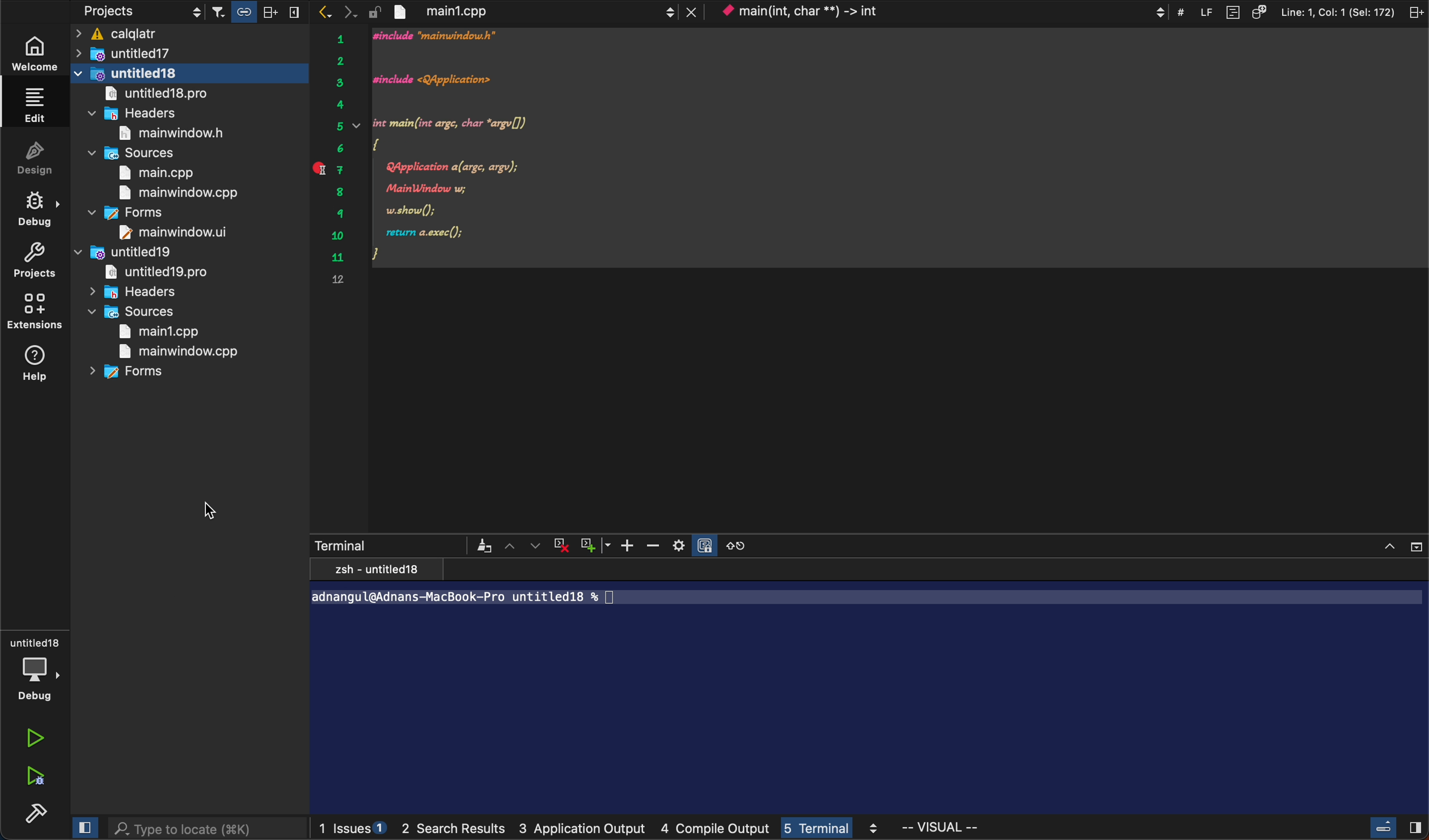  I want to click on untitled 18, so click(189, 73).